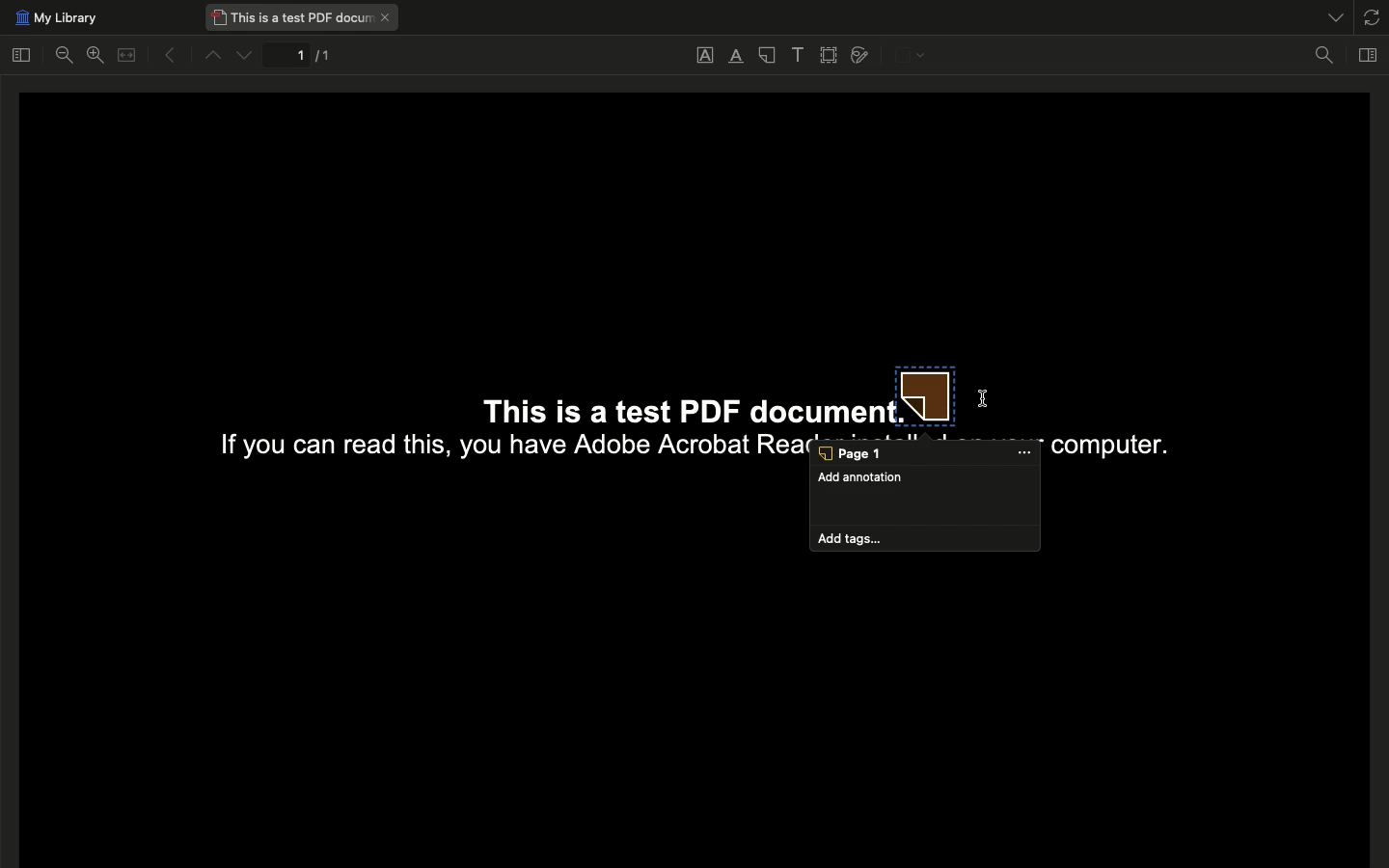  Describe the element at coordinates (21, 54) in the screenshot. I see `Toggle sidebar` at that location.